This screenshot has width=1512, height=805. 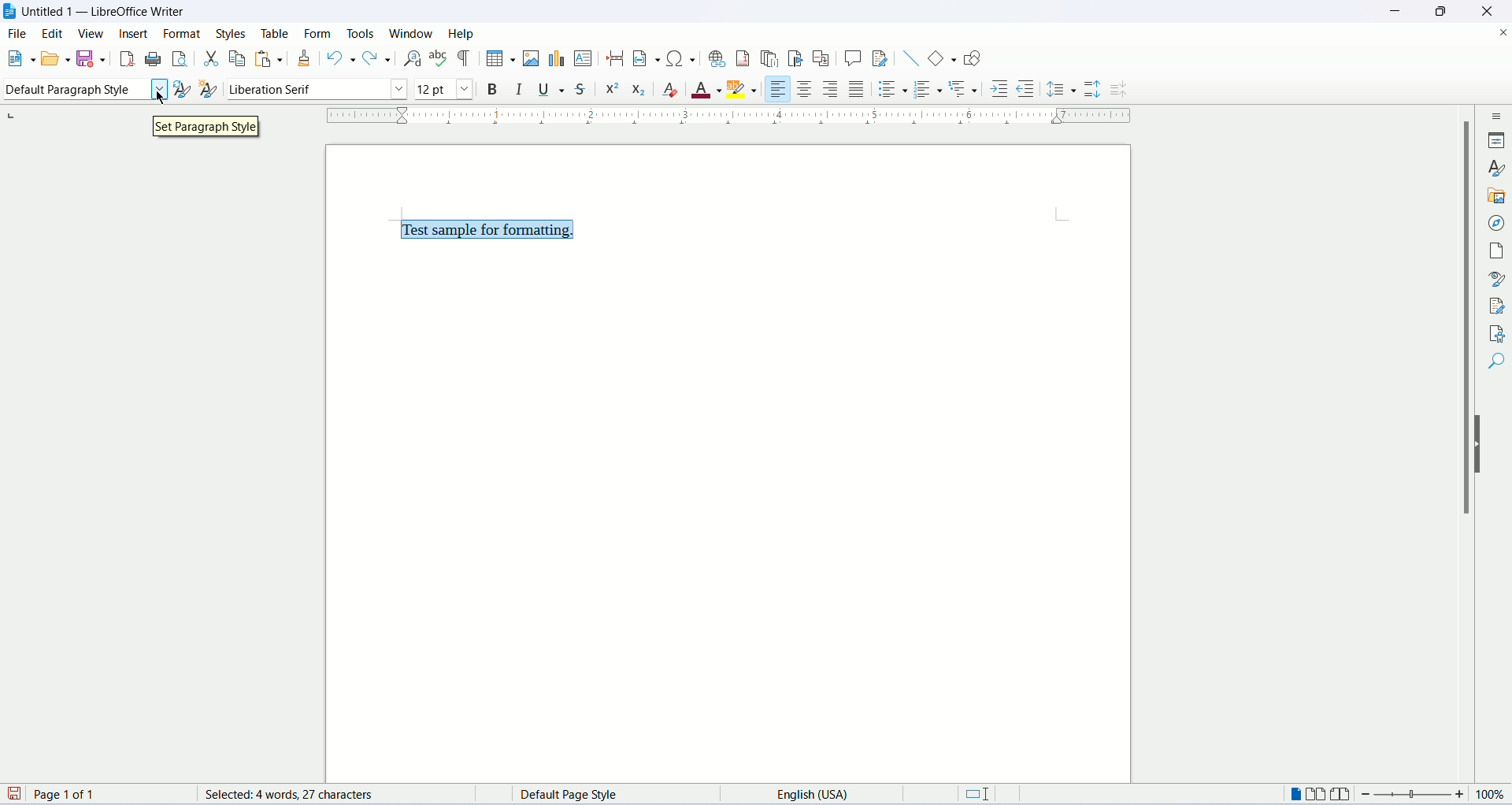 I want to click on insert image, so click(x=530, y=58).